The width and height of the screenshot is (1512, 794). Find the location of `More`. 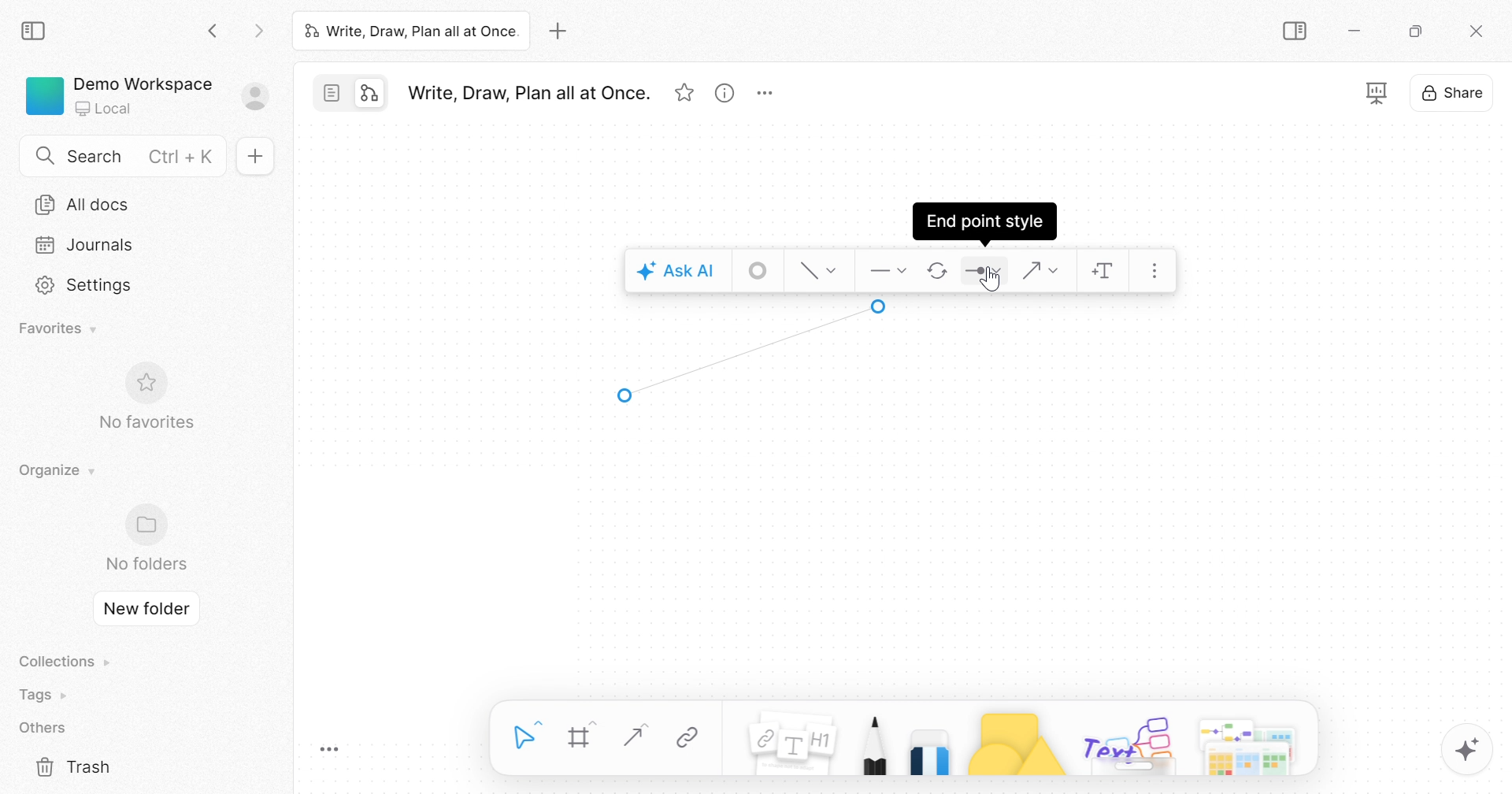

More is located at coordinates (1160, 272).